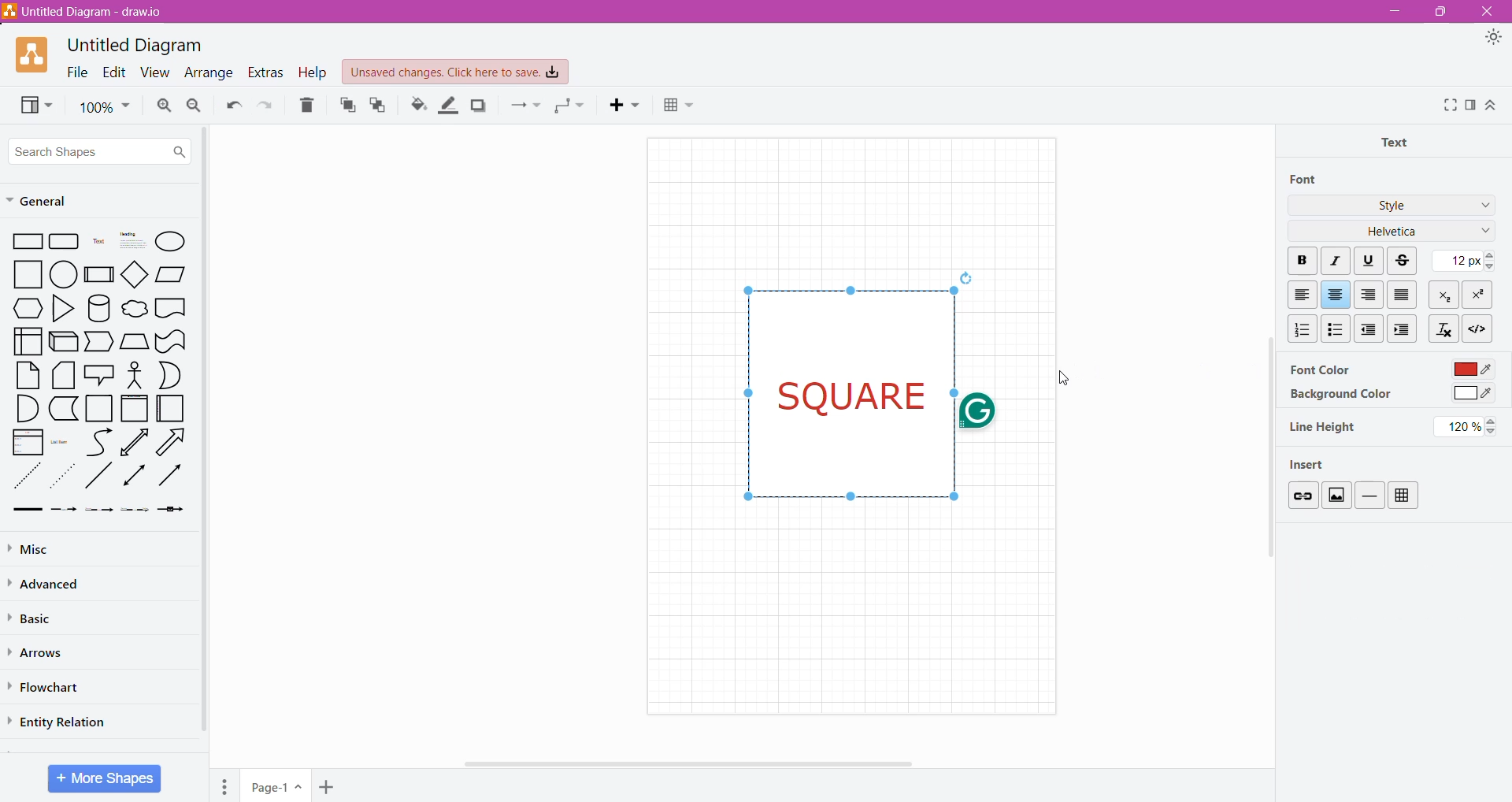 This screenshot has width=1512, height=802. I want to click on Strikethrough, so click(1404, 261).